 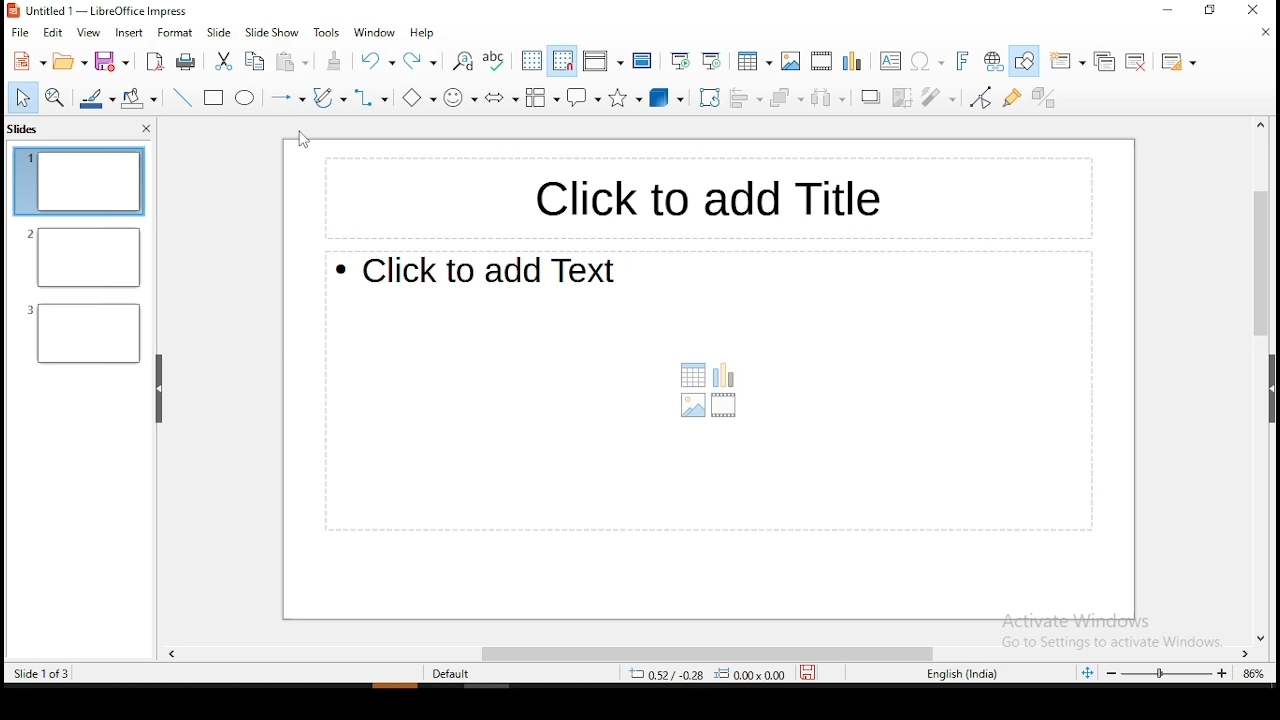 What do you see at coordinates (109, 62) in the screenshot?
I see `save` at bounding box center [109, 62].